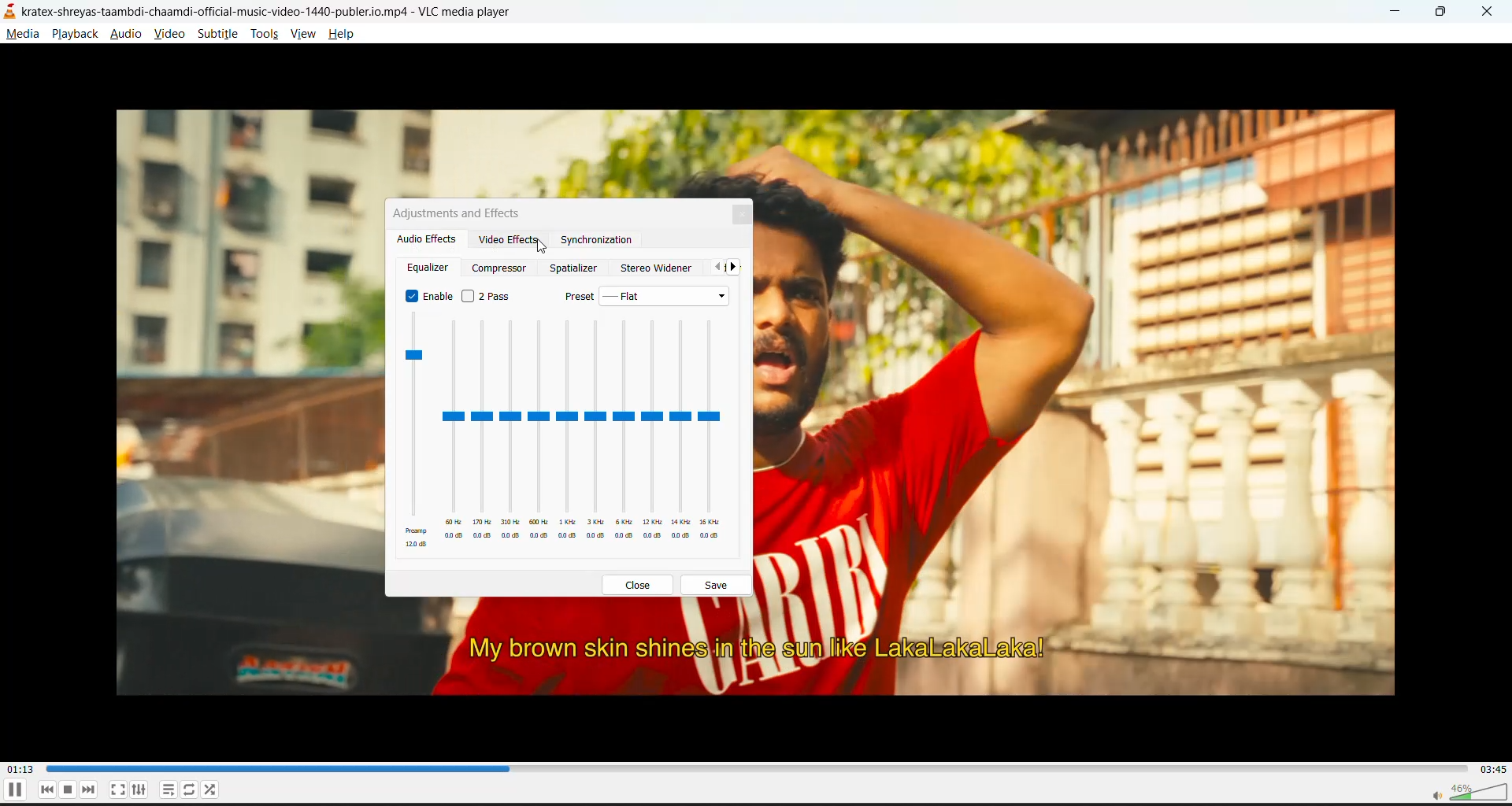 The height and width of the screenshot is (806, 1512). Describe the element at coordinates (595, 243) in the screenshot. I see `synchronization` at that location.